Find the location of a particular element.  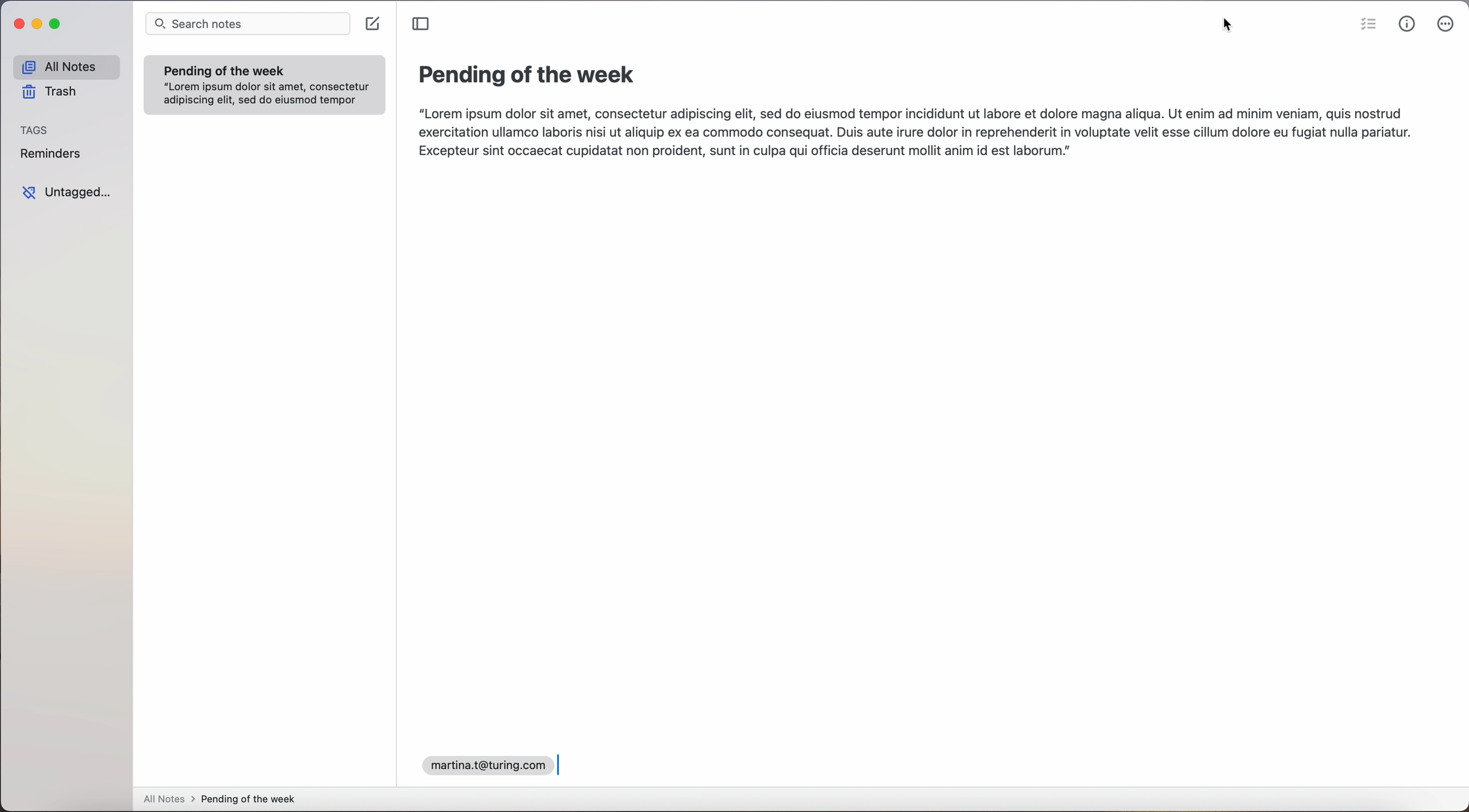

all notes > pending of the week is located at coordinates (224, 800).